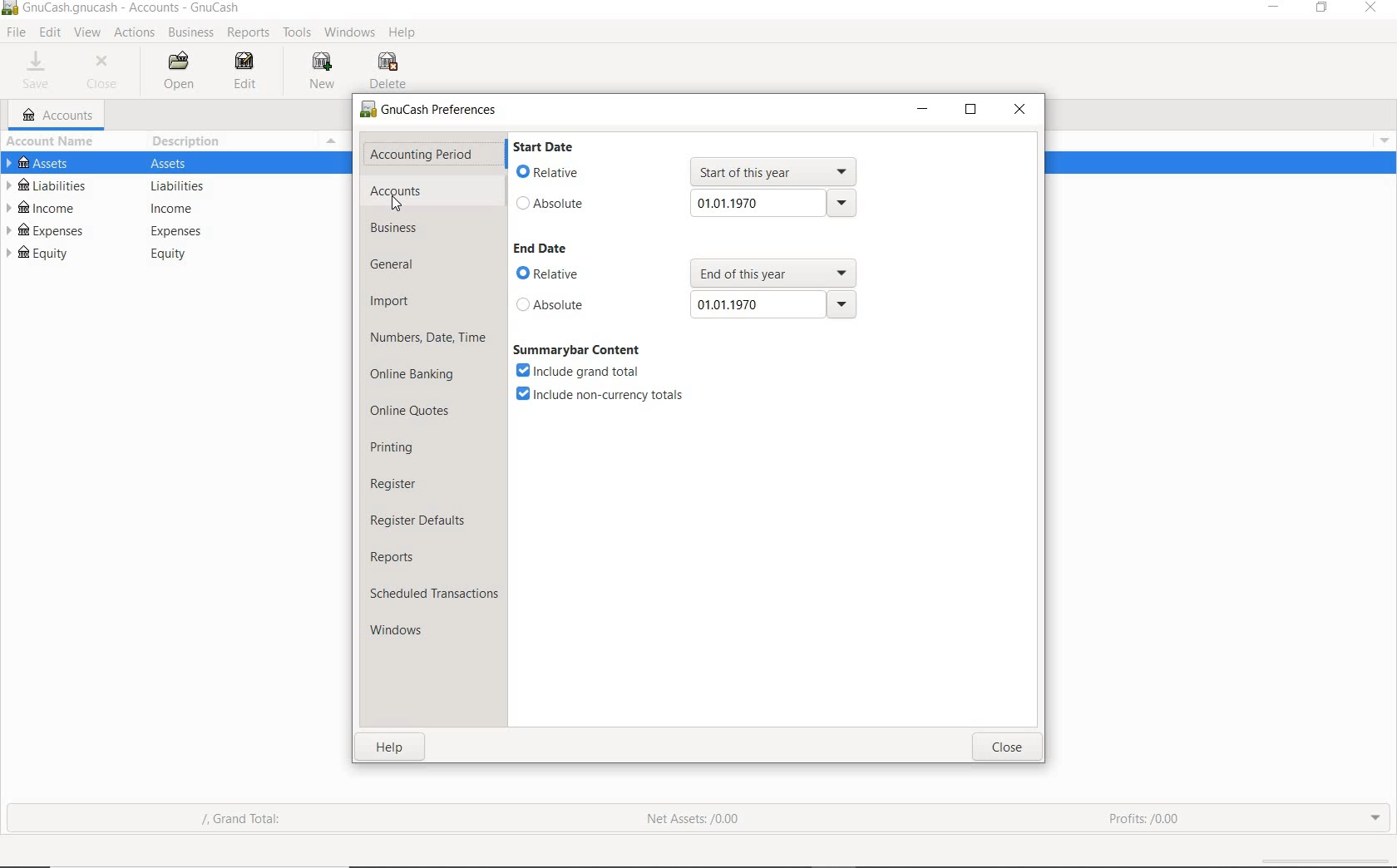 This screenshot has width=1397, height=868. Describe the element at coordinates (295, 33) in the screenshot. I see `TOOLS` at that location.